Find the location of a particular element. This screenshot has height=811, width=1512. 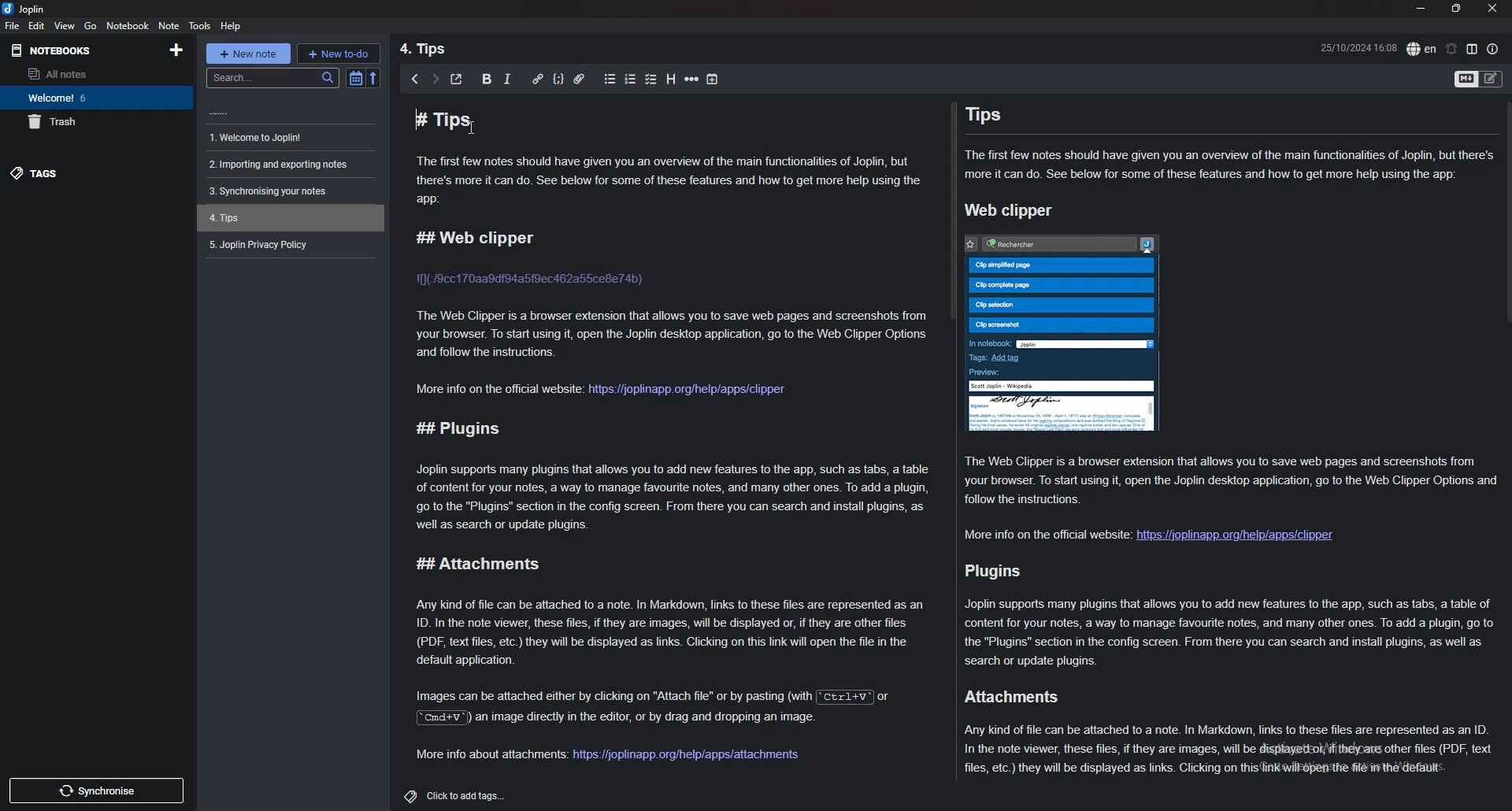

Trash is located at coordinates (54, 122).